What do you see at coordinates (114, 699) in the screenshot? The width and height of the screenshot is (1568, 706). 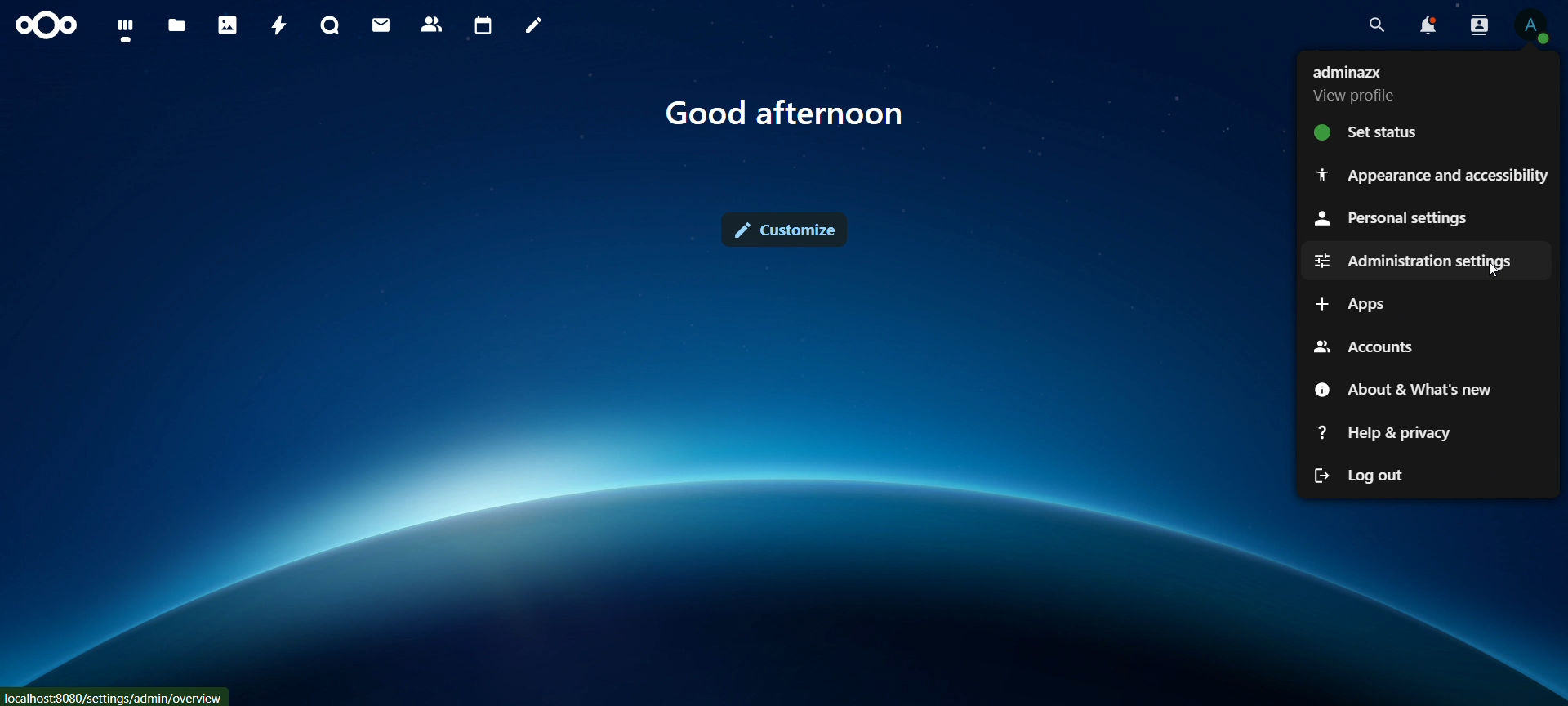 I see `Url` at bounding box center [114, 699].